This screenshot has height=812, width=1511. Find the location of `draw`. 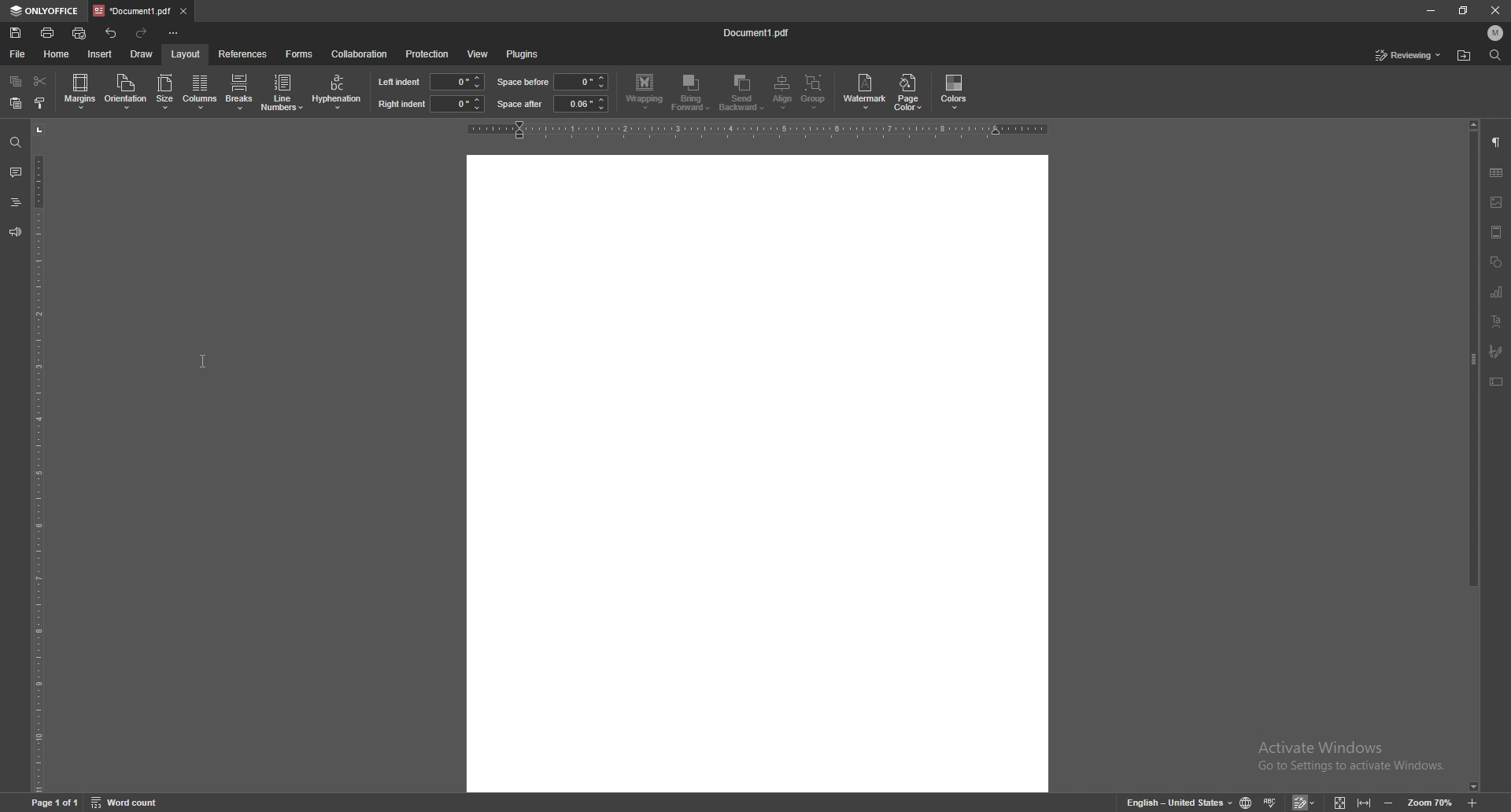

draw is located at coordinates (142, 54).